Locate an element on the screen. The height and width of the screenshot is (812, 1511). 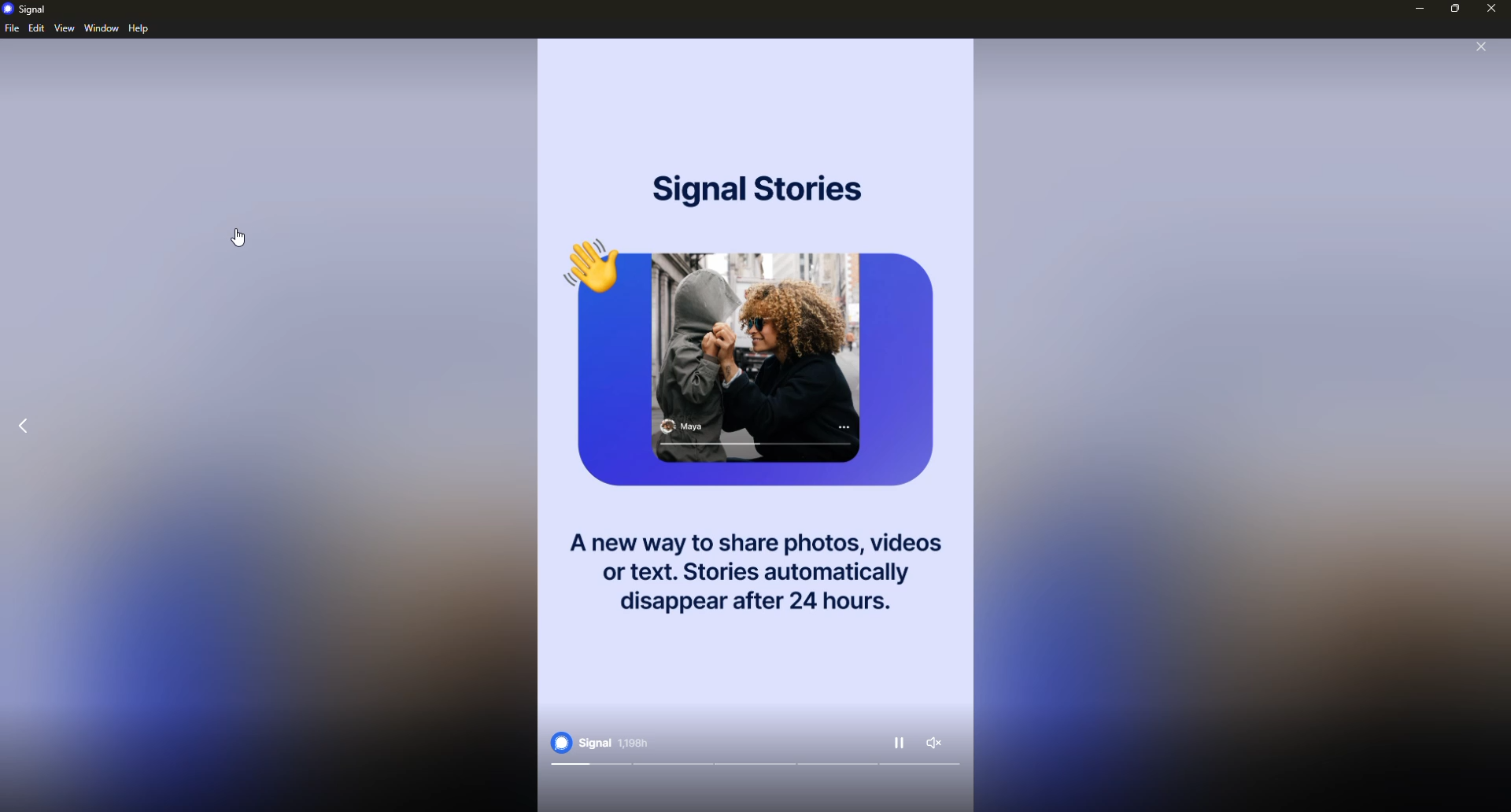
back is located at coordinates (27, 426).